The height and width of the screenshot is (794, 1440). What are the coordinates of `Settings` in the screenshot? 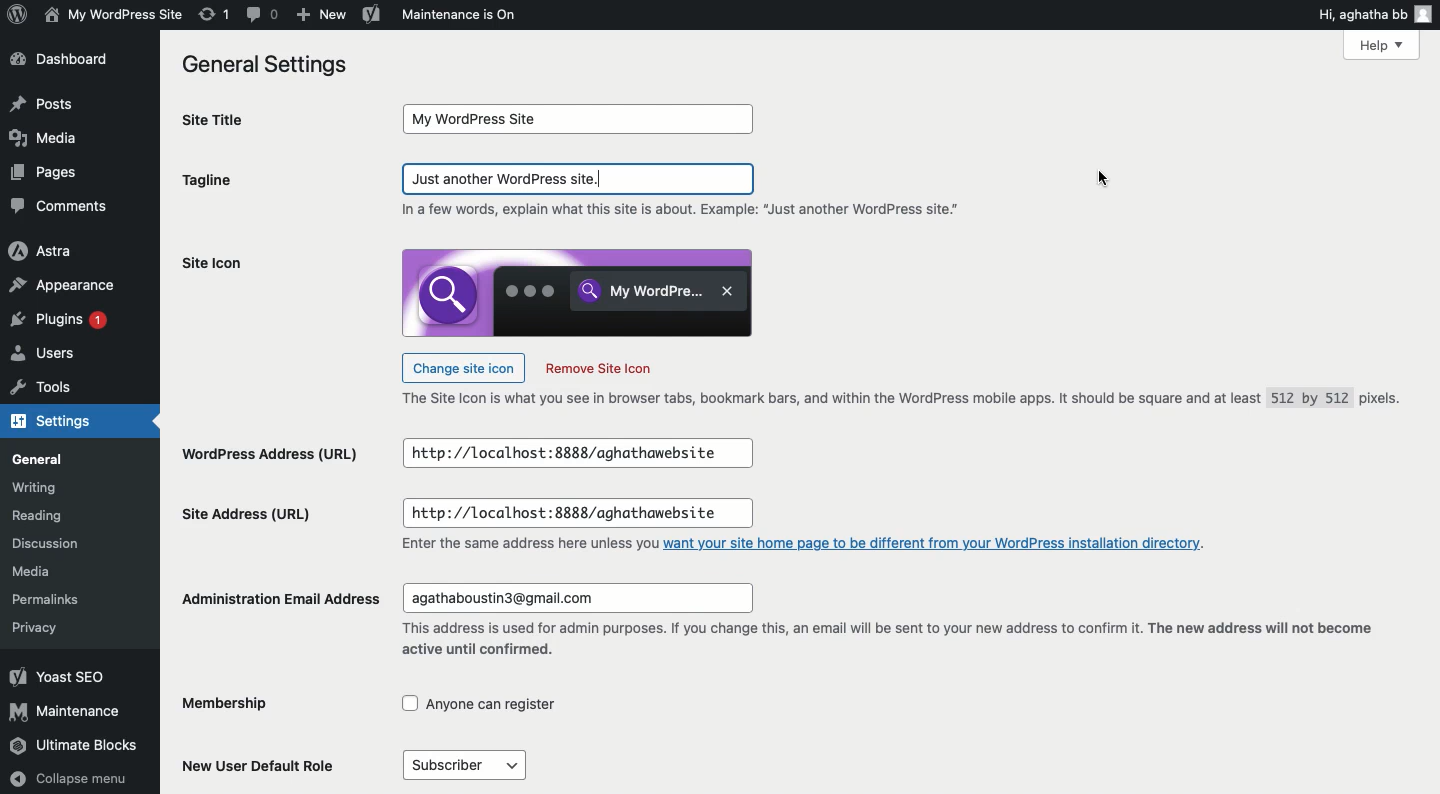 It's located at (62, 423).